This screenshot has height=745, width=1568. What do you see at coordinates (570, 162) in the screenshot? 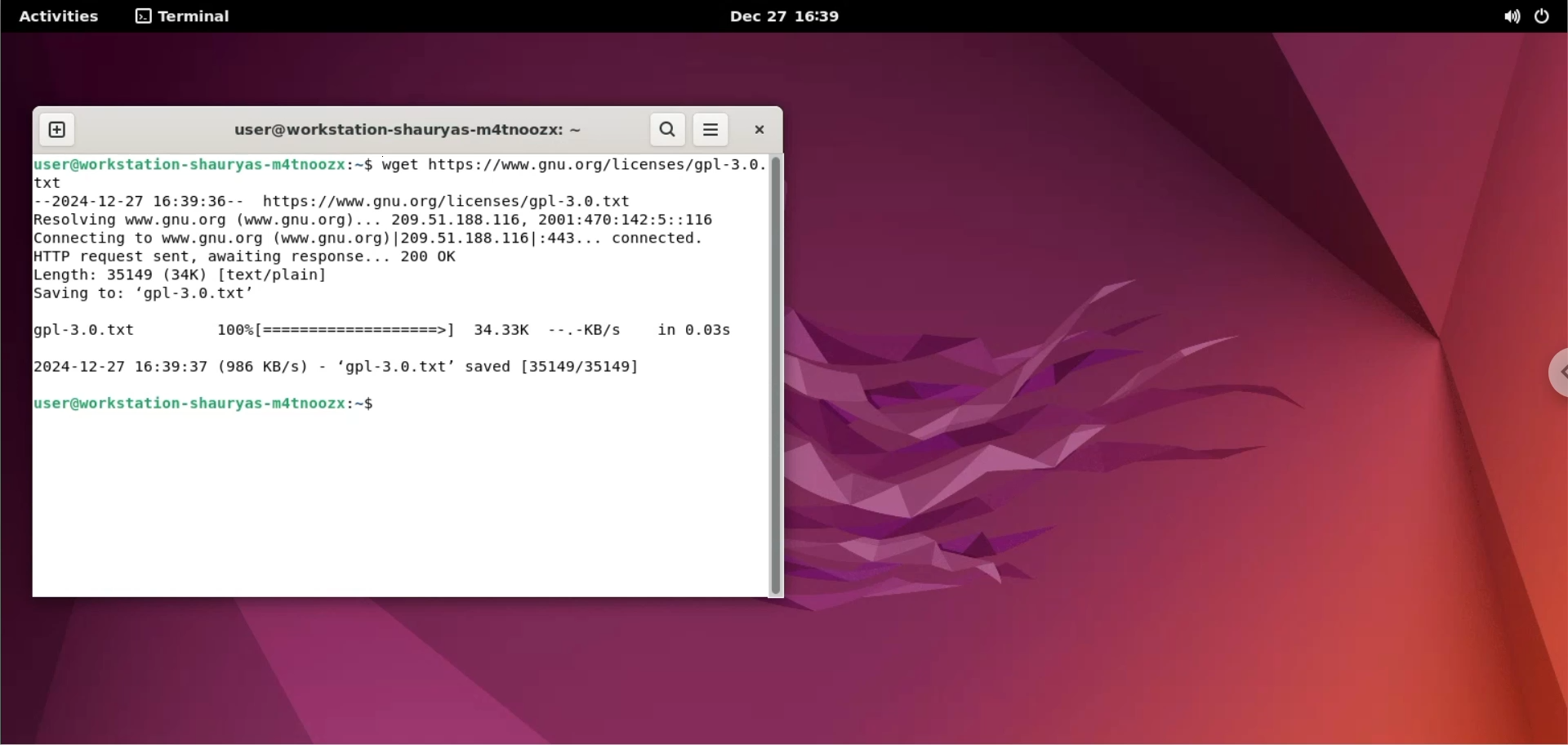
I see `wget https://www.gnu.org/licenses/gpl-3.0.` at bounding box center [570, 162].